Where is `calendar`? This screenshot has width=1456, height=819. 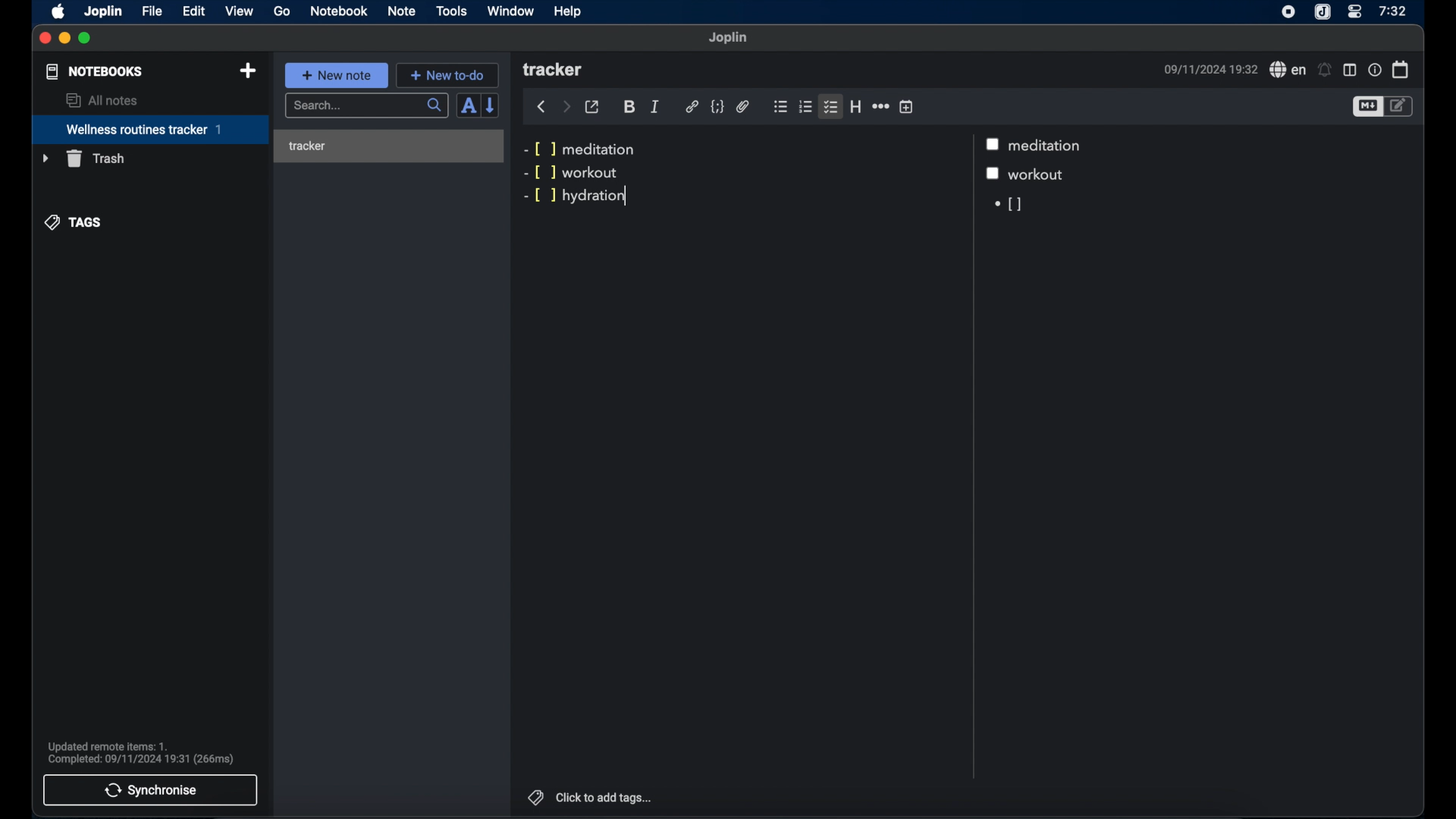
calendar is located at coordinates (1401, 69).